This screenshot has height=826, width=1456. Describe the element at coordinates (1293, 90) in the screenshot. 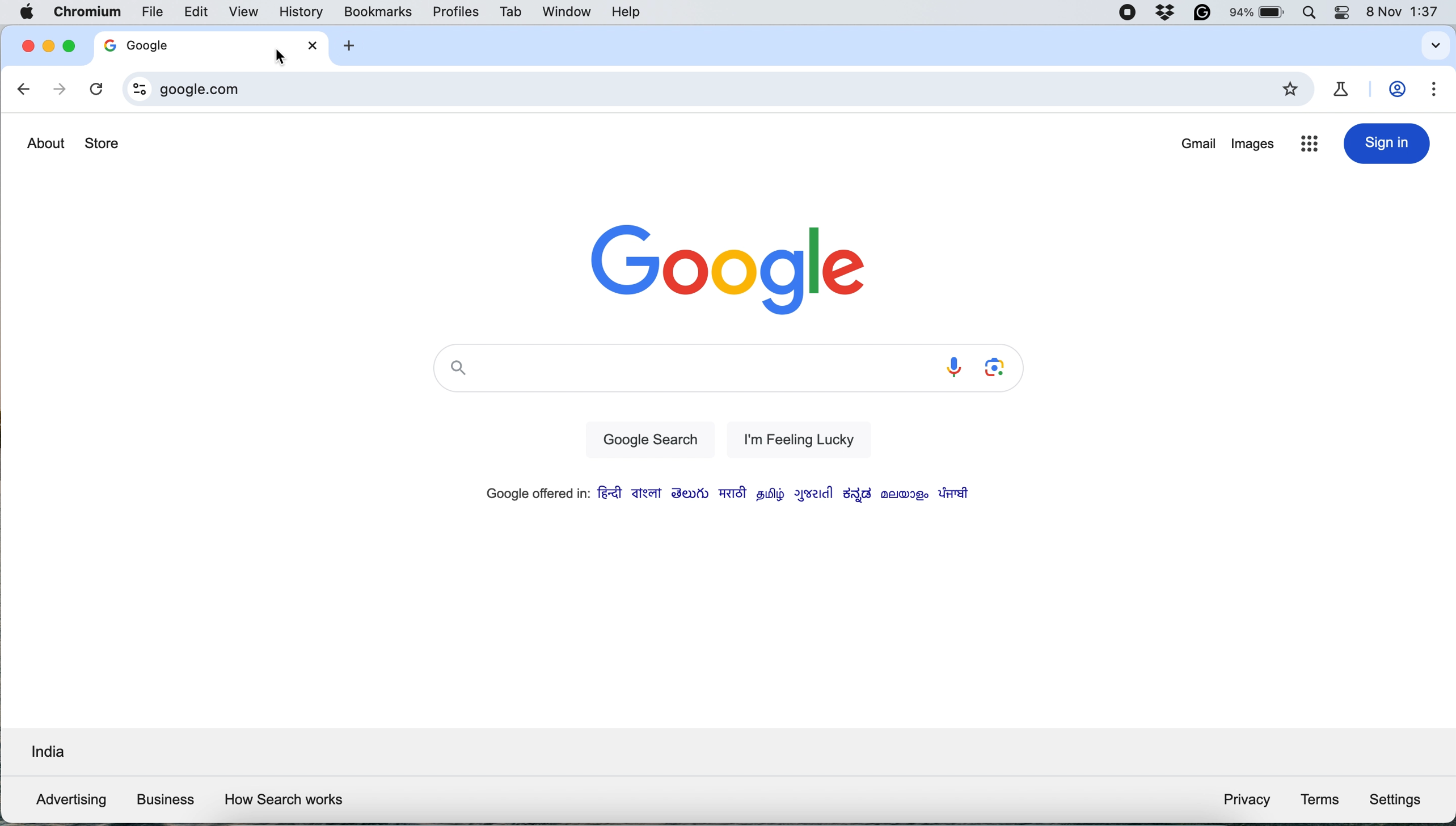

I see `bookmark` at that location.